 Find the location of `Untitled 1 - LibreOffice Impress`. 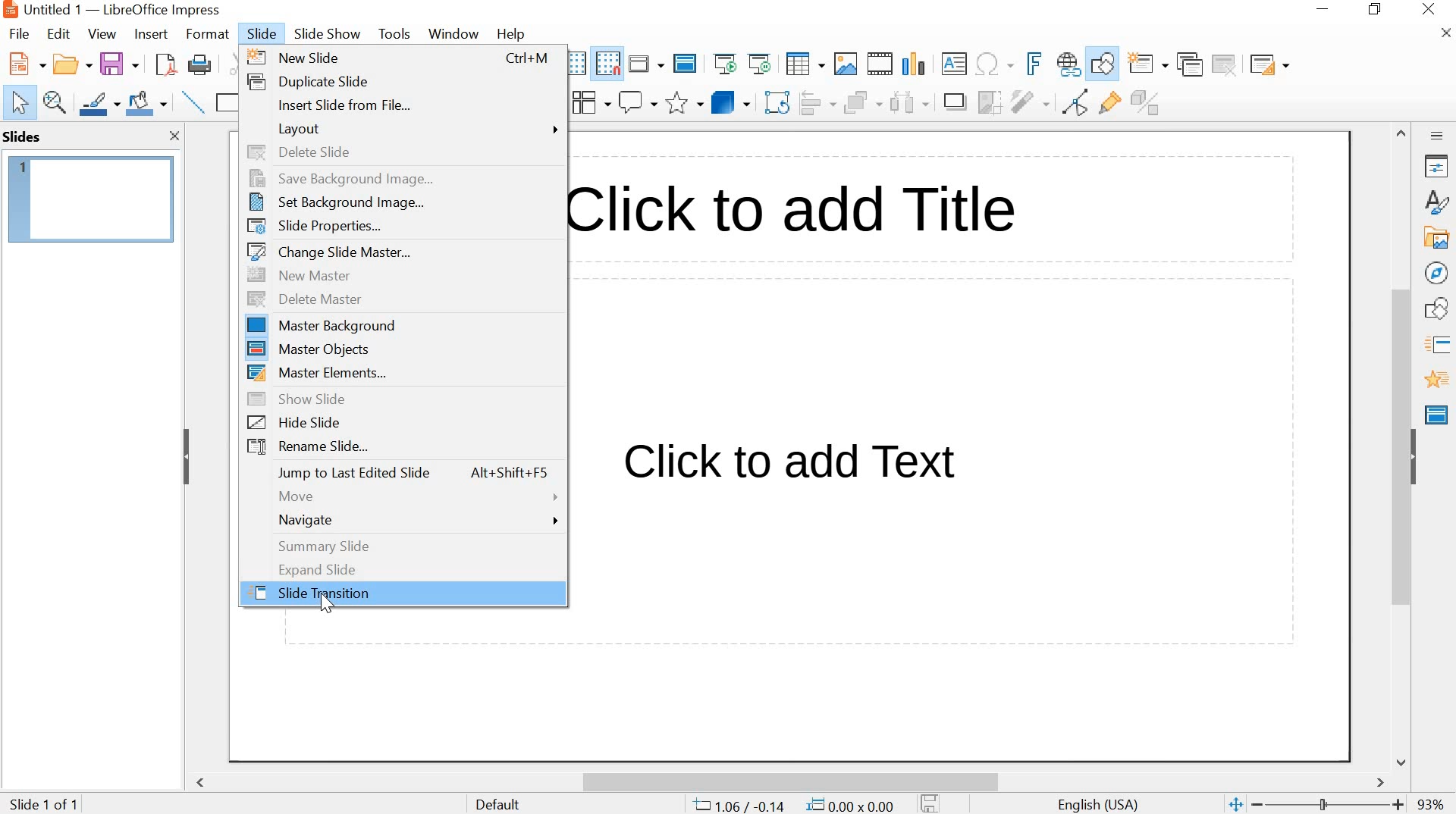

Untitled 1 - LibreOffice Impress is located at coordinates (110, 10).